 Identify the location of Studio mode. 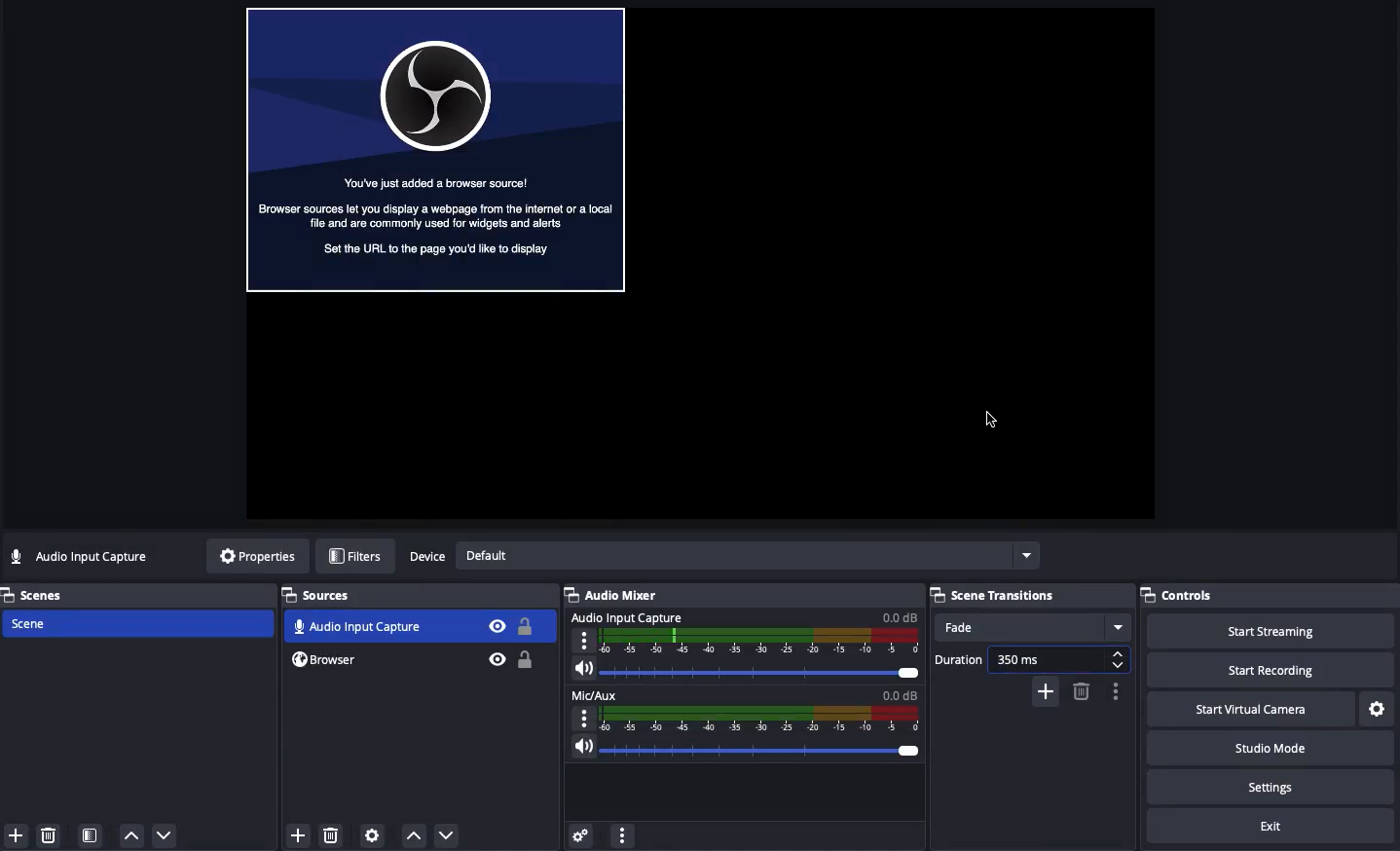
(1271, 751).